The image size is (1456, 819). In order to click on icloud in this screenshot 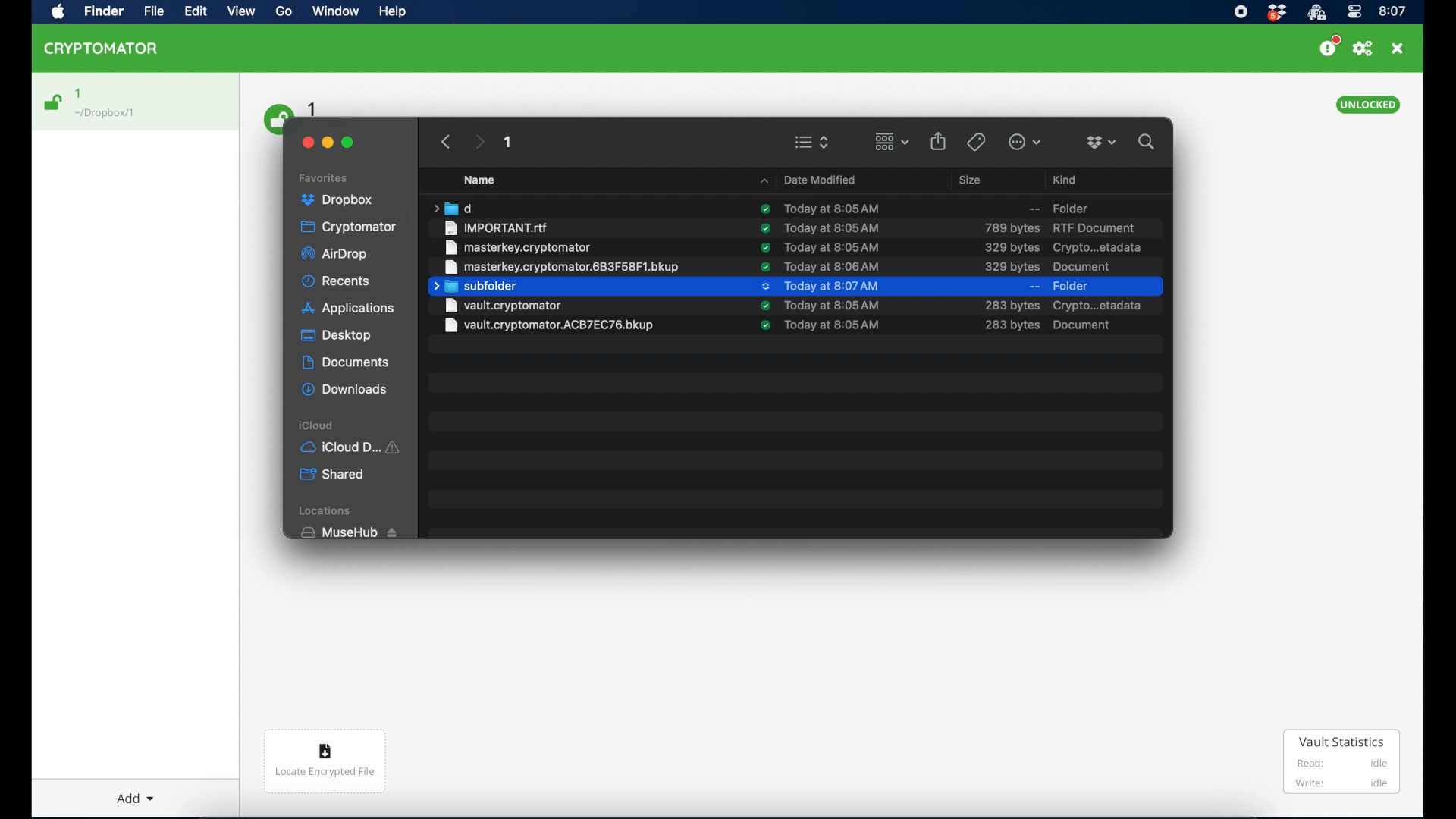, I will do `click(317, 425)`.